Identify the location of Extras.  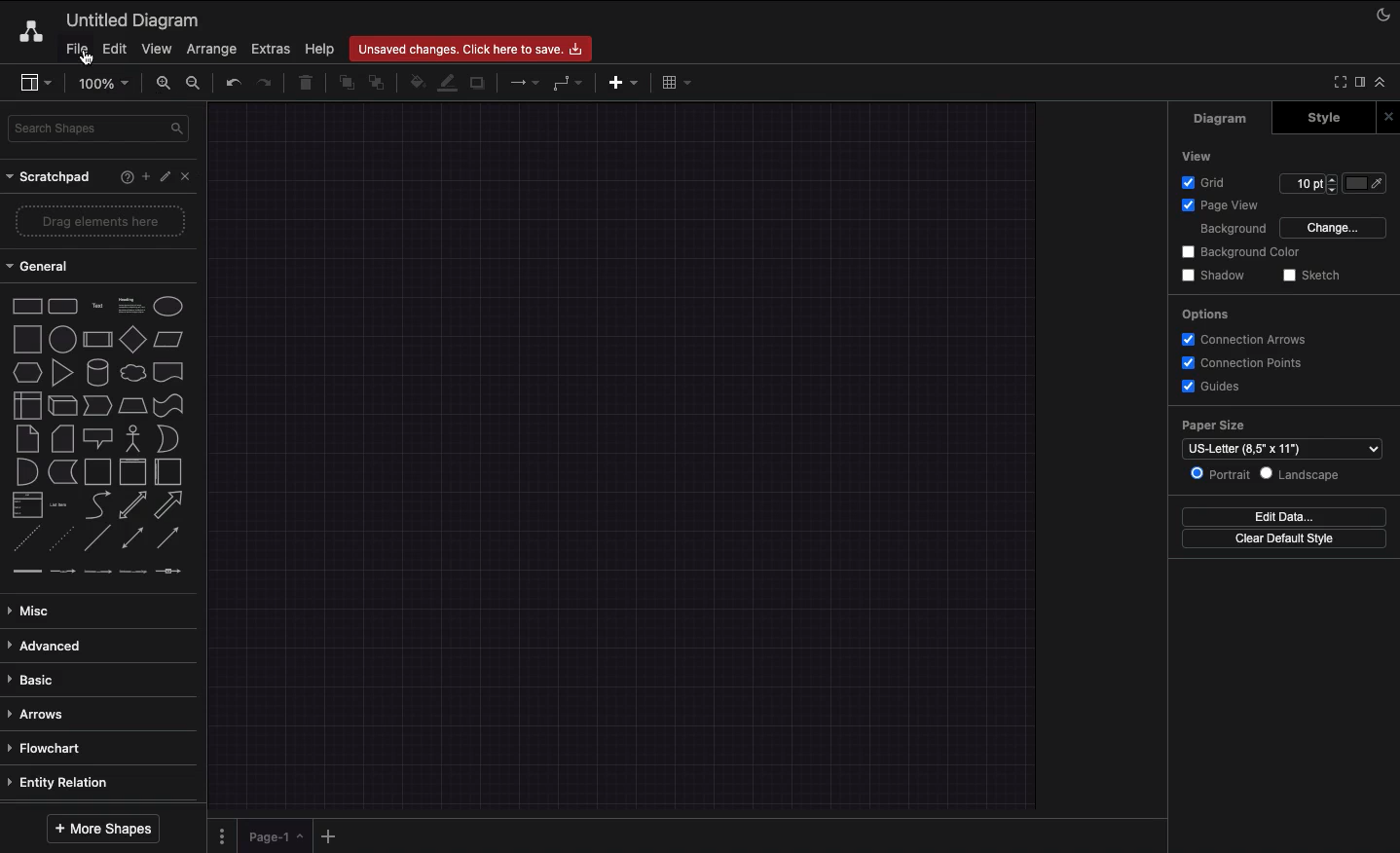
(271, 48).